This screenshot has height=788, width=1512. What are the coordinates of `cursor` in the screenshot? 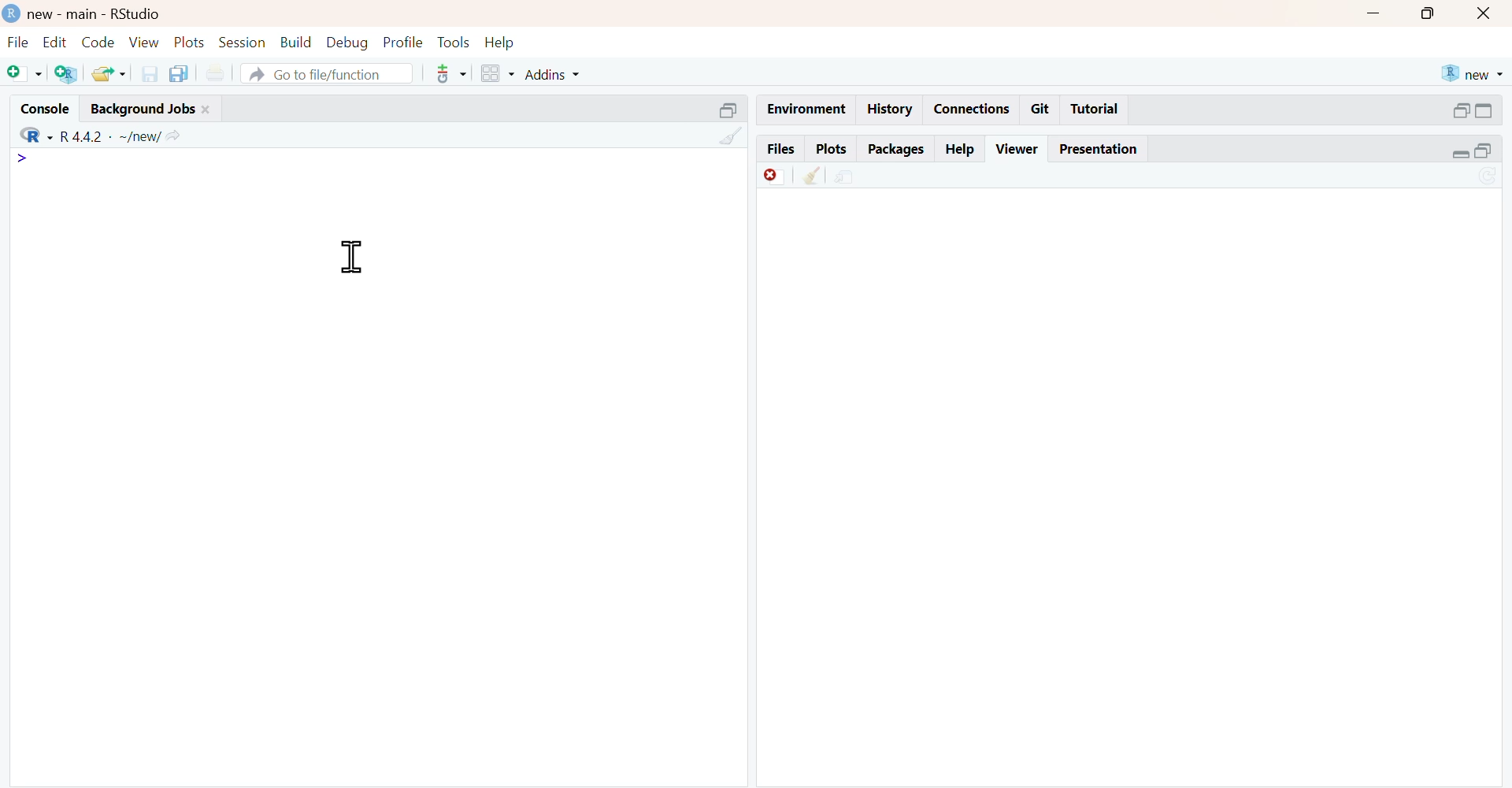 It's located at (354, 258).